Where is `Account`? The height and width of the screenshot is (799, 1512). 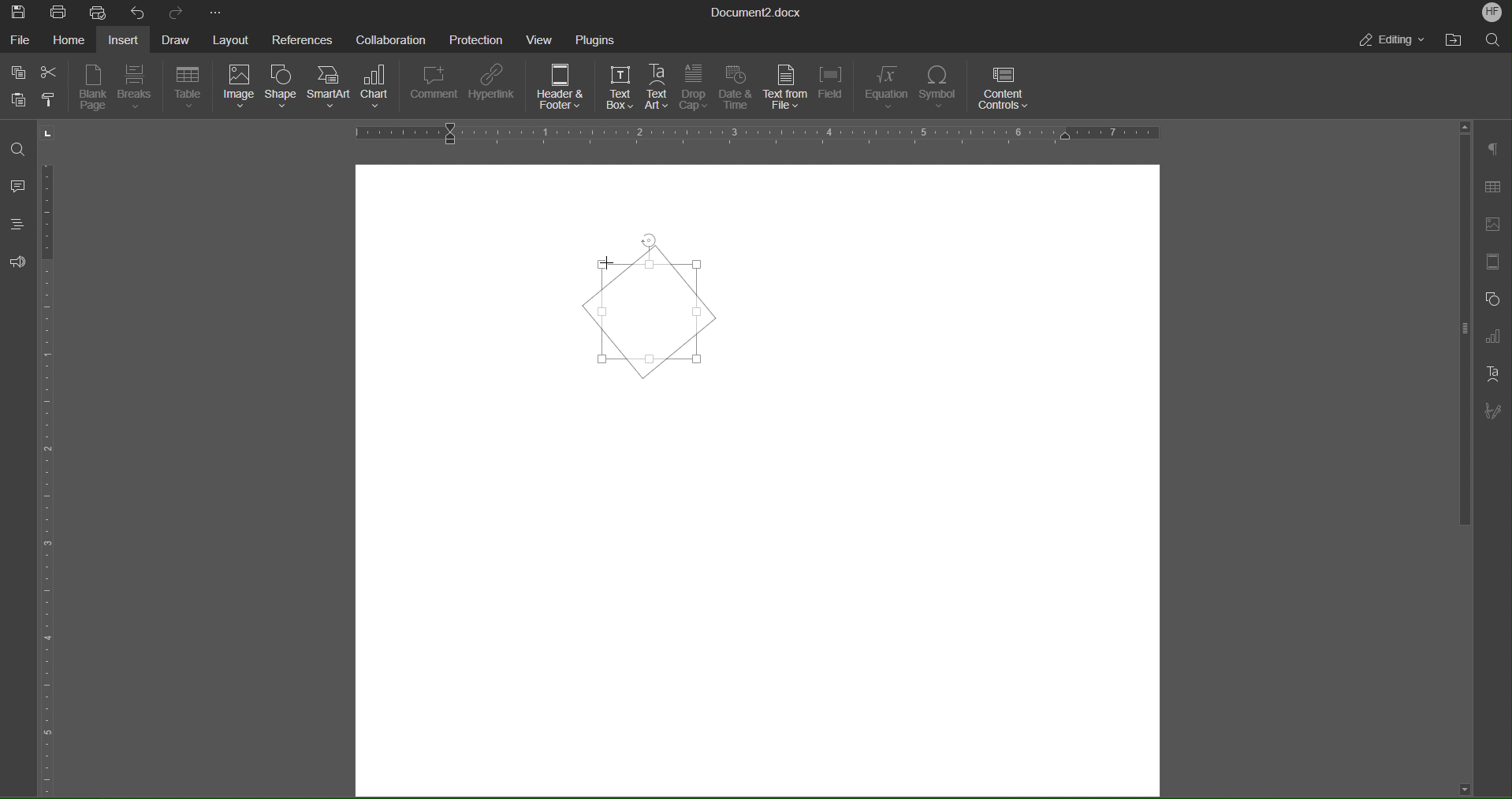
Account is located at coordinates (1492, 13).